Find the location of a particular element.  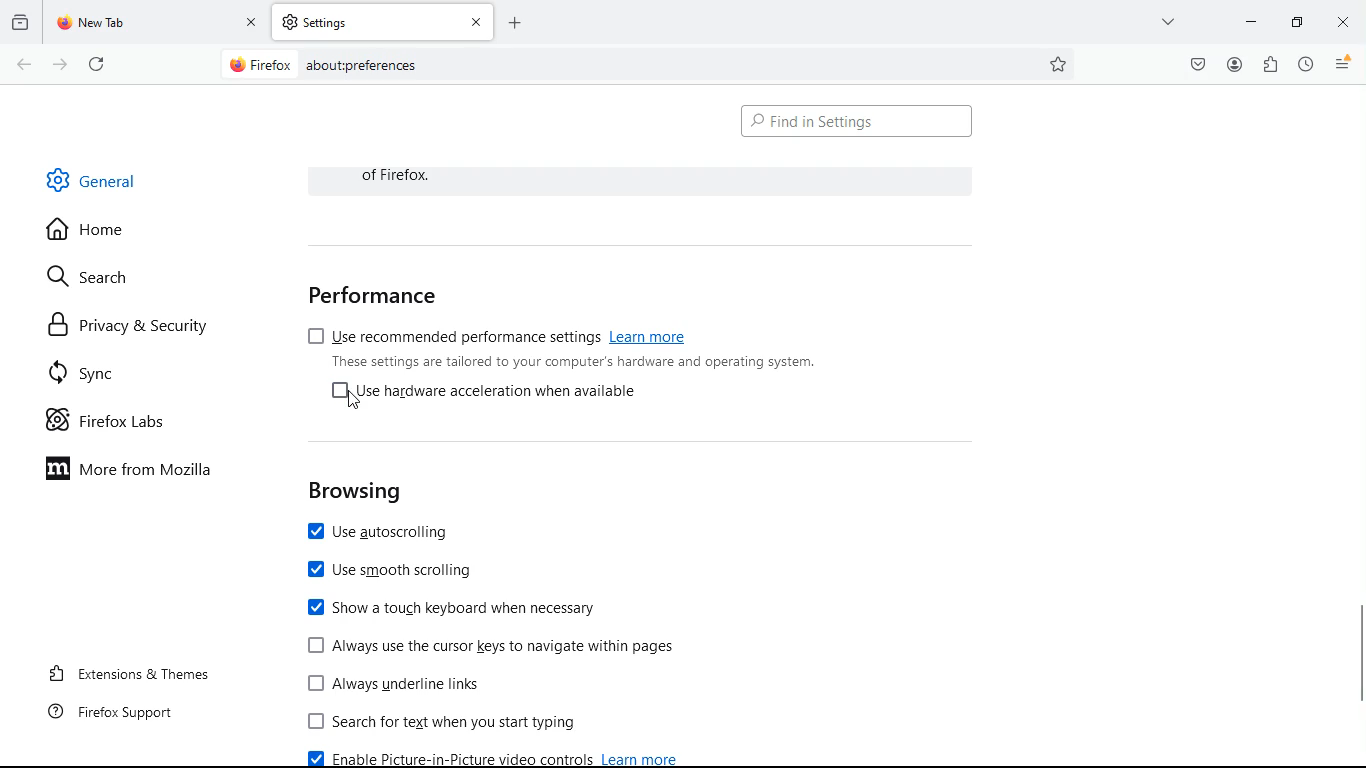

tab is located at coordinates (384, 22).